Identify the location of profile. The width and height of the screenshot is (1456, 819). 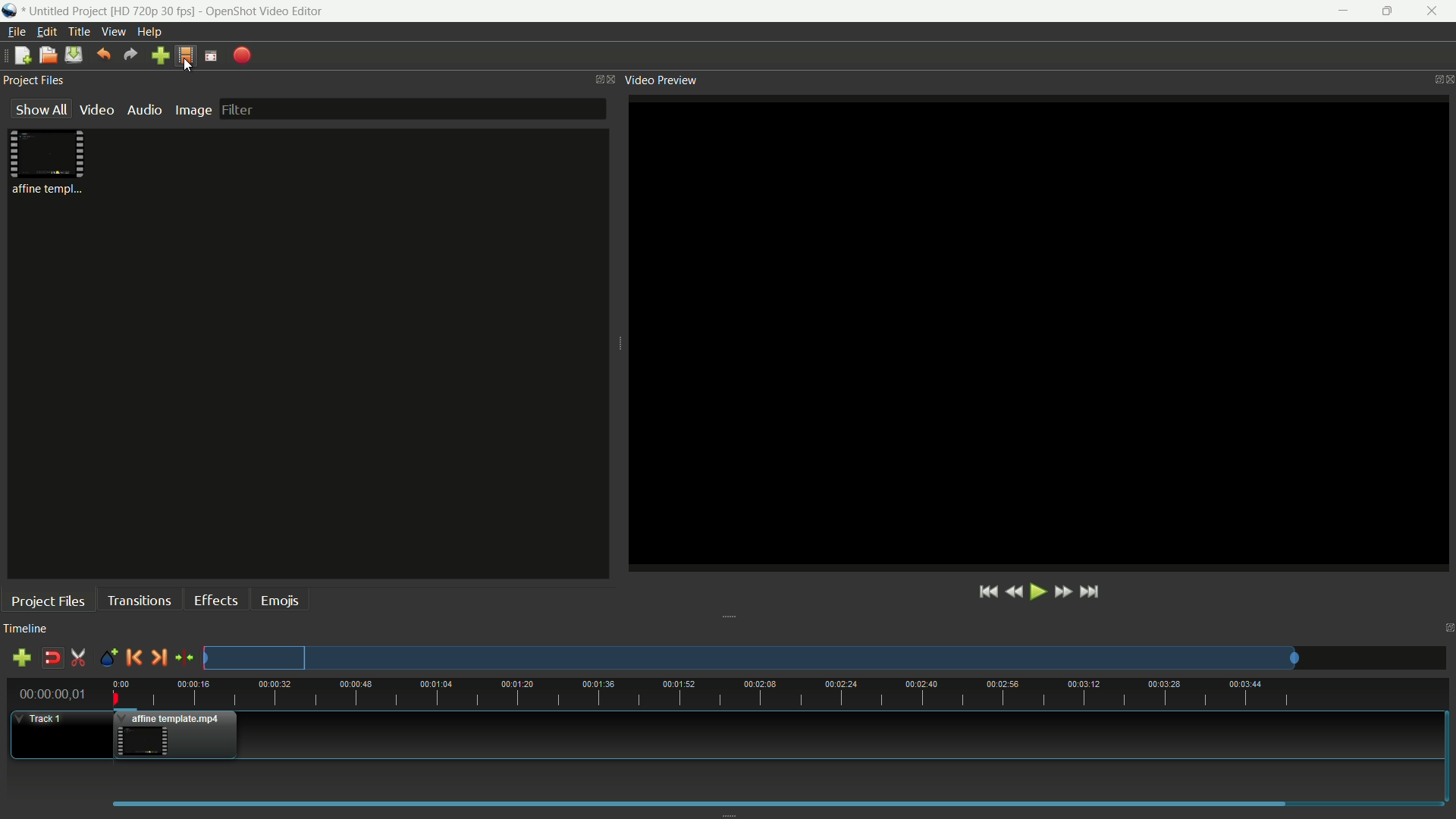
(187, 57).